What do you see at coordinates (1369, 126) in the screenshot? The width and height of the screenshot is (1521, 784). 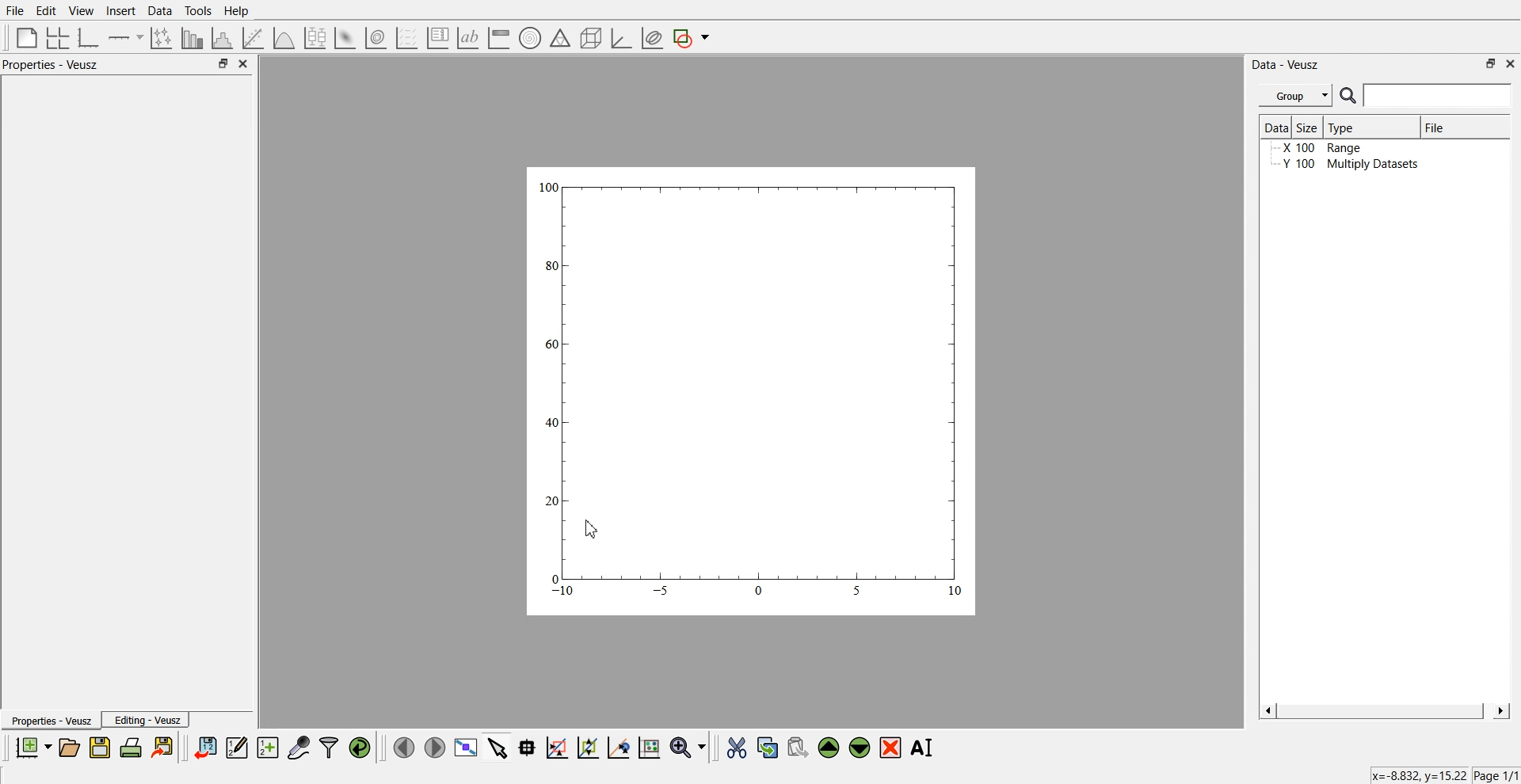 I see `Type` at bounding box center [1369, 126].